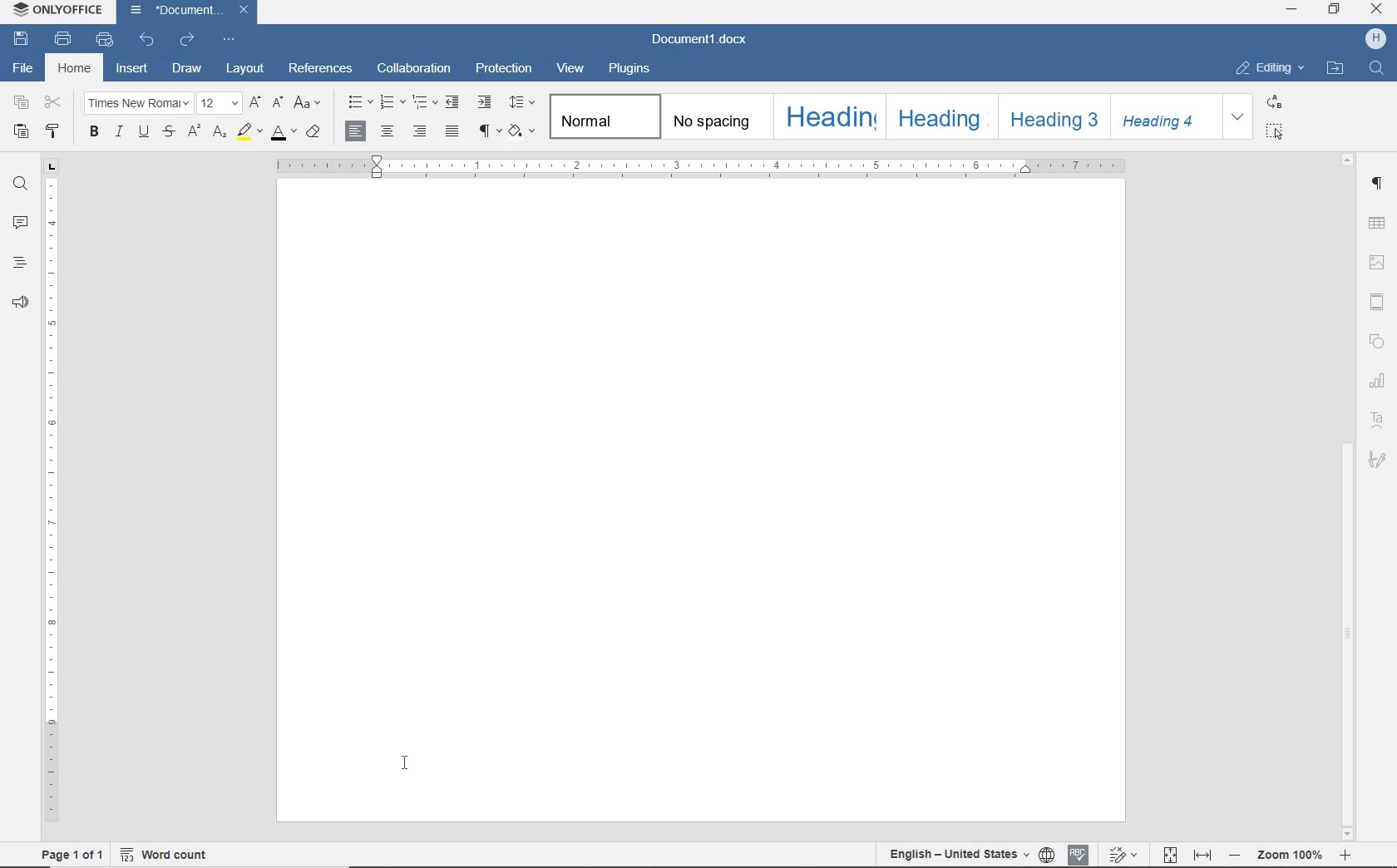 The image size is (1397, 868). Describe the element at coordinates (186, 70) in the screenshot. I see `draw` at that location.